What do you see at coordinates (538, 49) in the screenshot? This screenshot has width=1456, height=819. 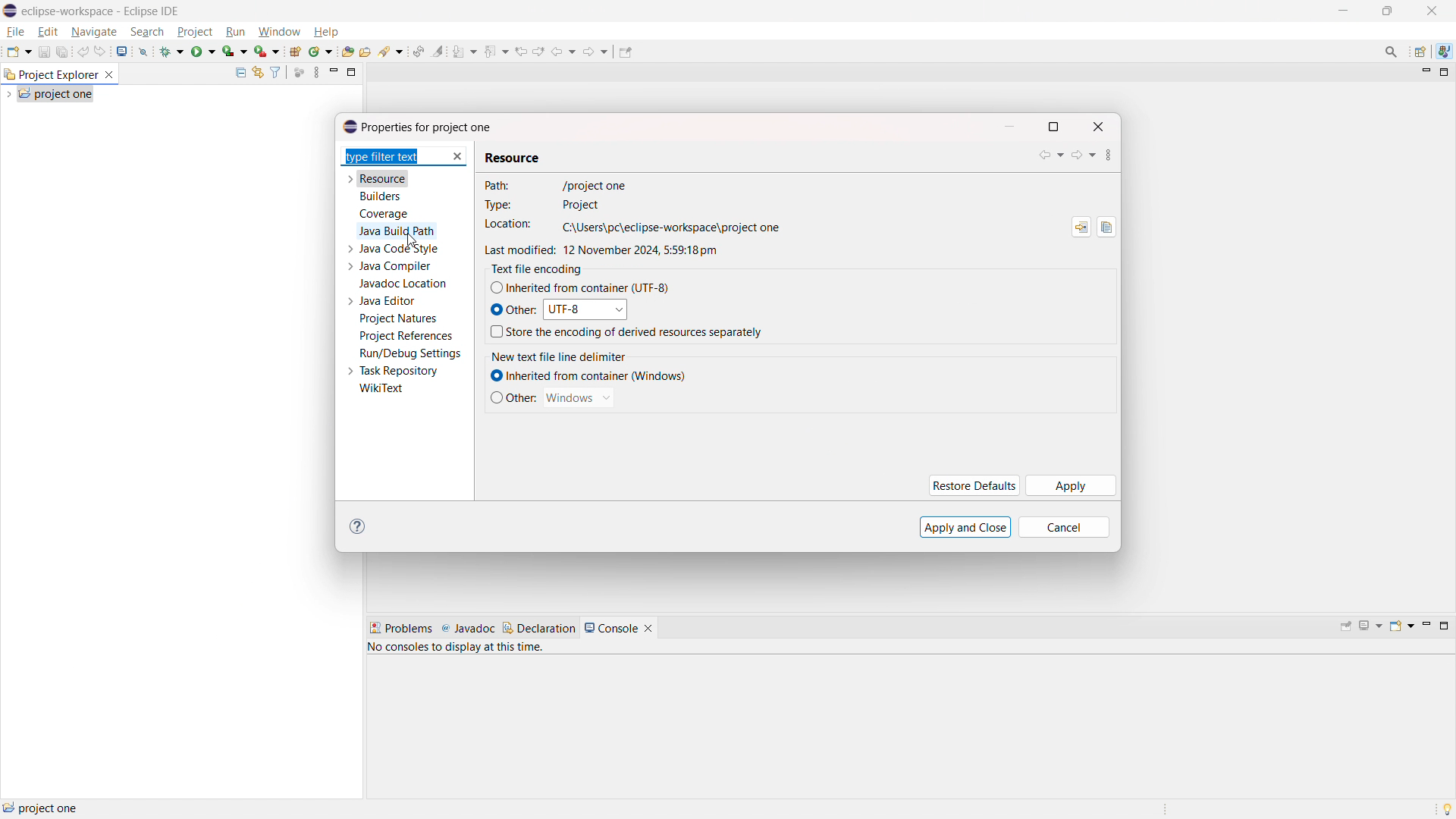 I see `view next location` at bounding box center [538, 49].